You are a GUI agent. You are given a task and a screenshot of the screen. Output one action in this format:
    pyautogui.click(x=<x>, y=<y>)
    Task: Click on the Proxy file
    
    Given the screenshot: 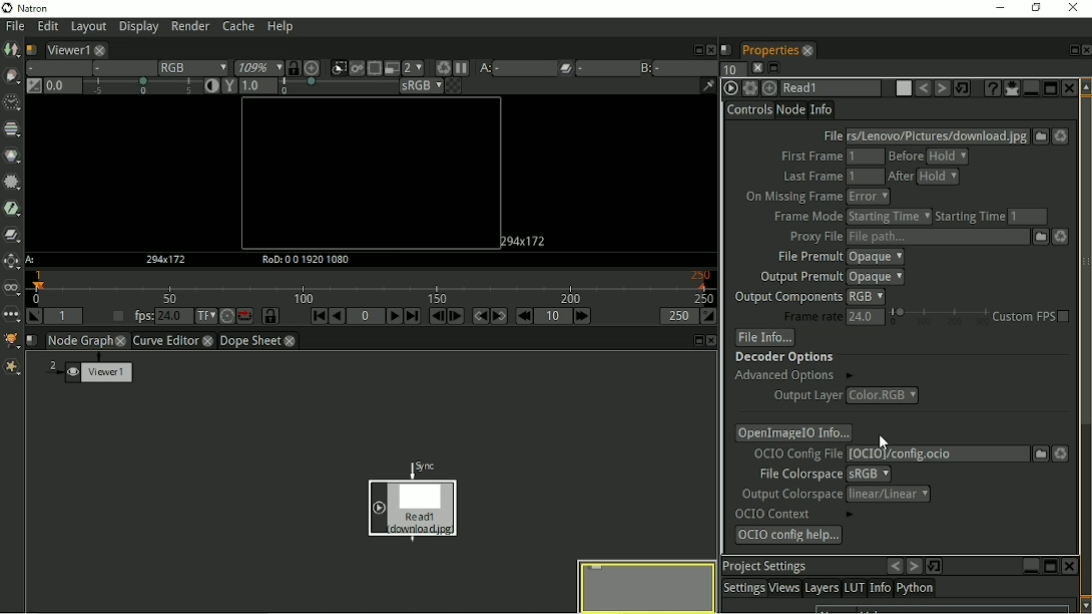 What is the action you would take?
    pyautogui.click(x=930, y=236)
    